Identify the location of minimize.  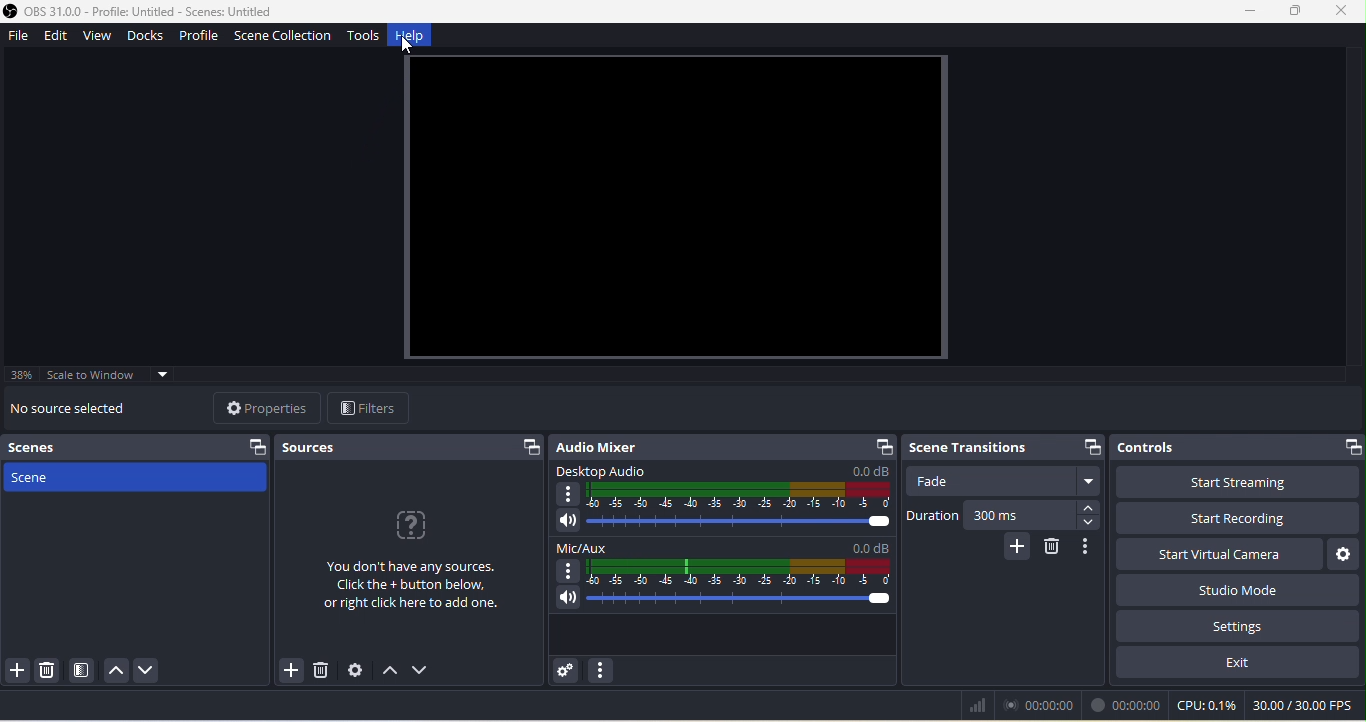
(1249, 11).